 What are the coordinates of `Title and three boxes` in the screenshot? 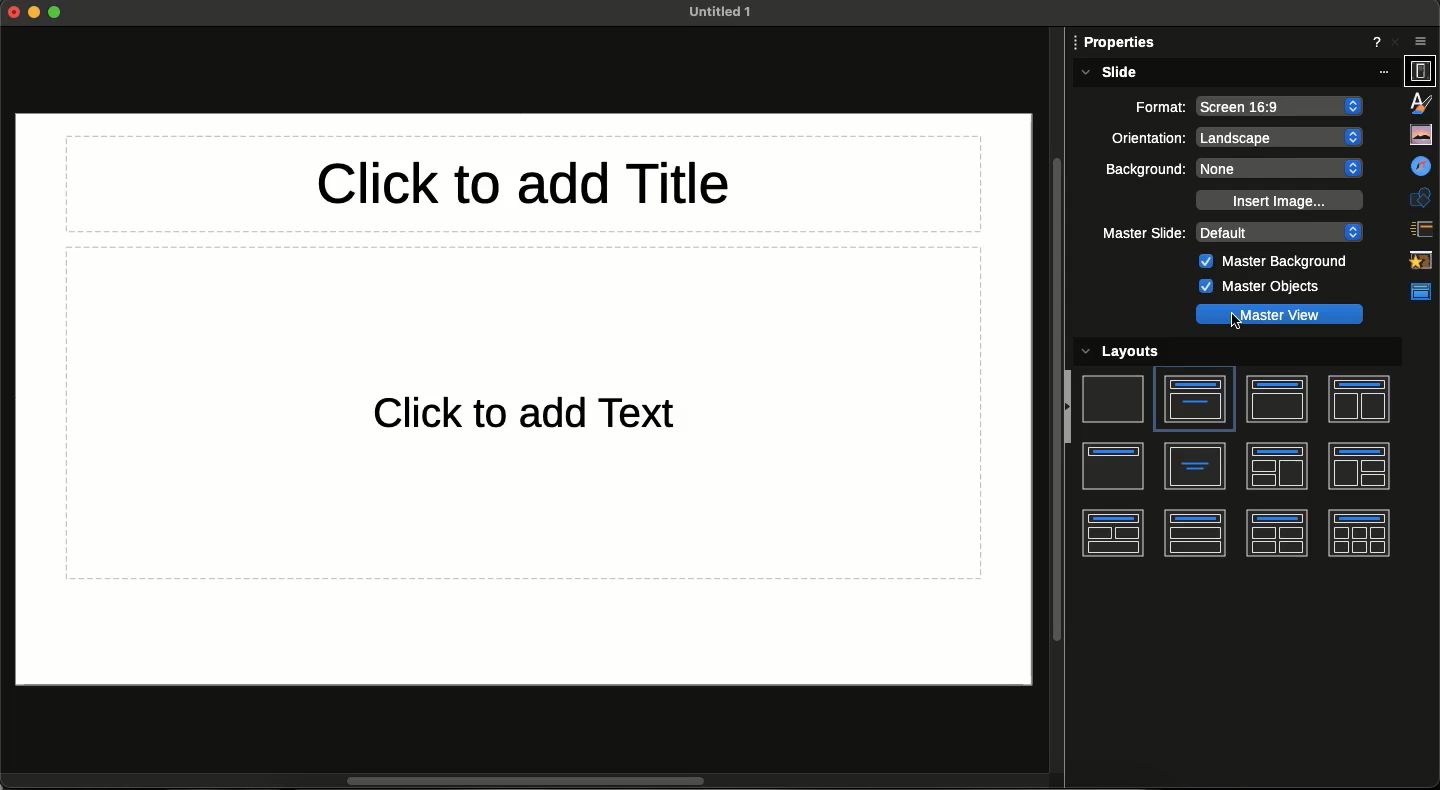 It's located at (1277, 467).